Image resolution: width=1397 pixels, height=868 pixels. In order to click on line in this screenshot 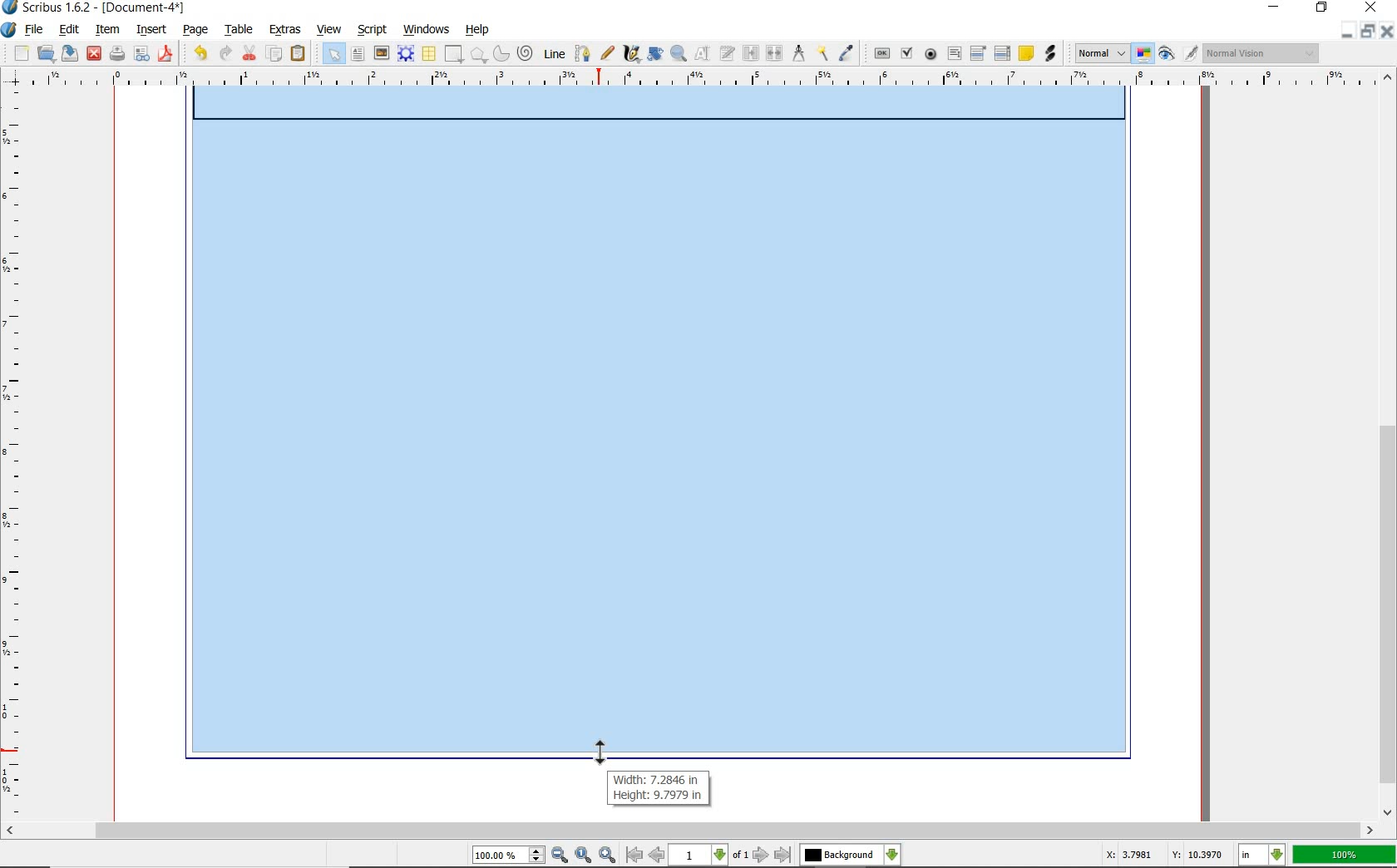, I will do `click(554, 54)`.